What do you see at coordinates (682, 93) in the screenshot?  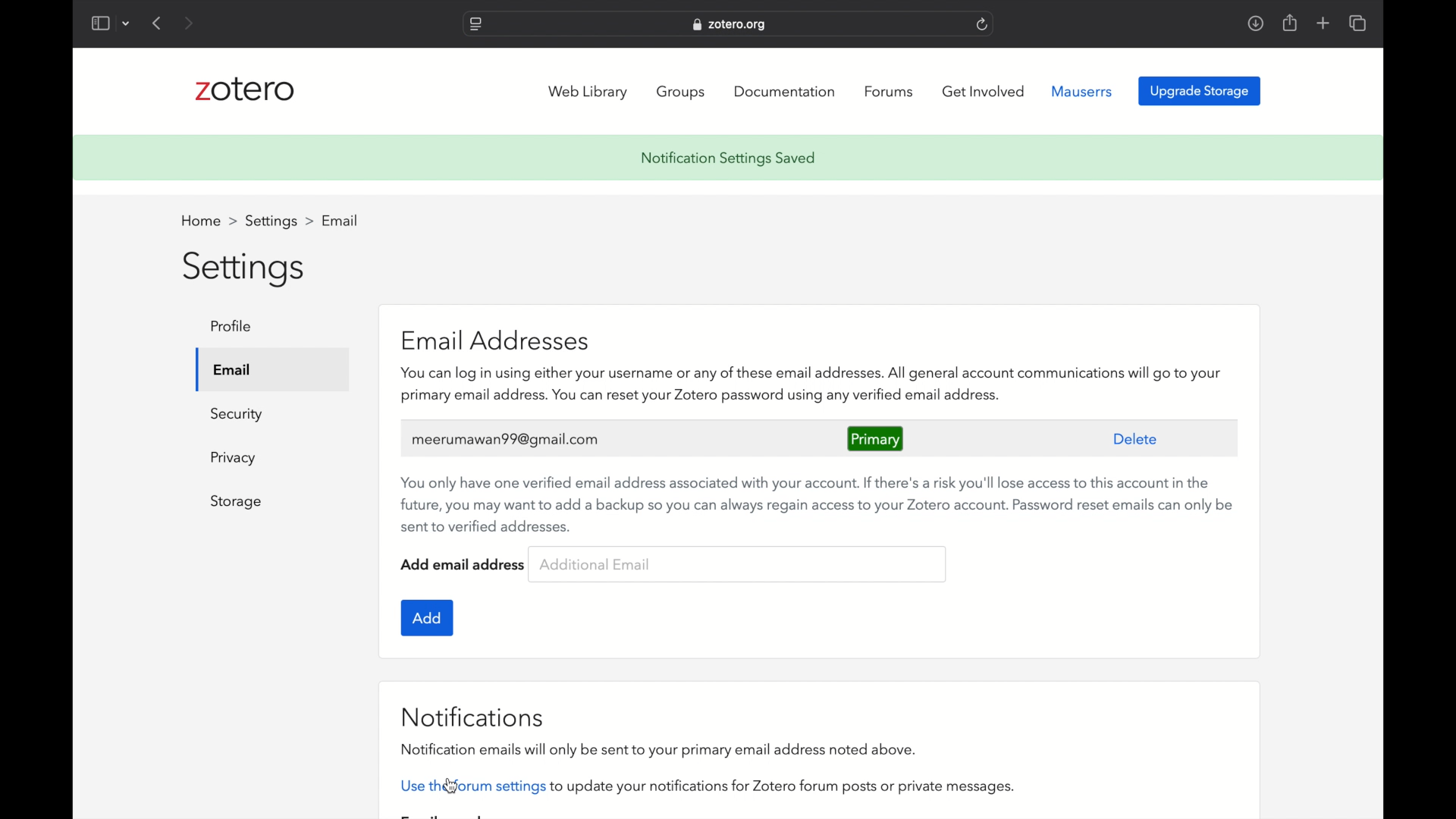 I see `groups` at bounding box center [682, 93].